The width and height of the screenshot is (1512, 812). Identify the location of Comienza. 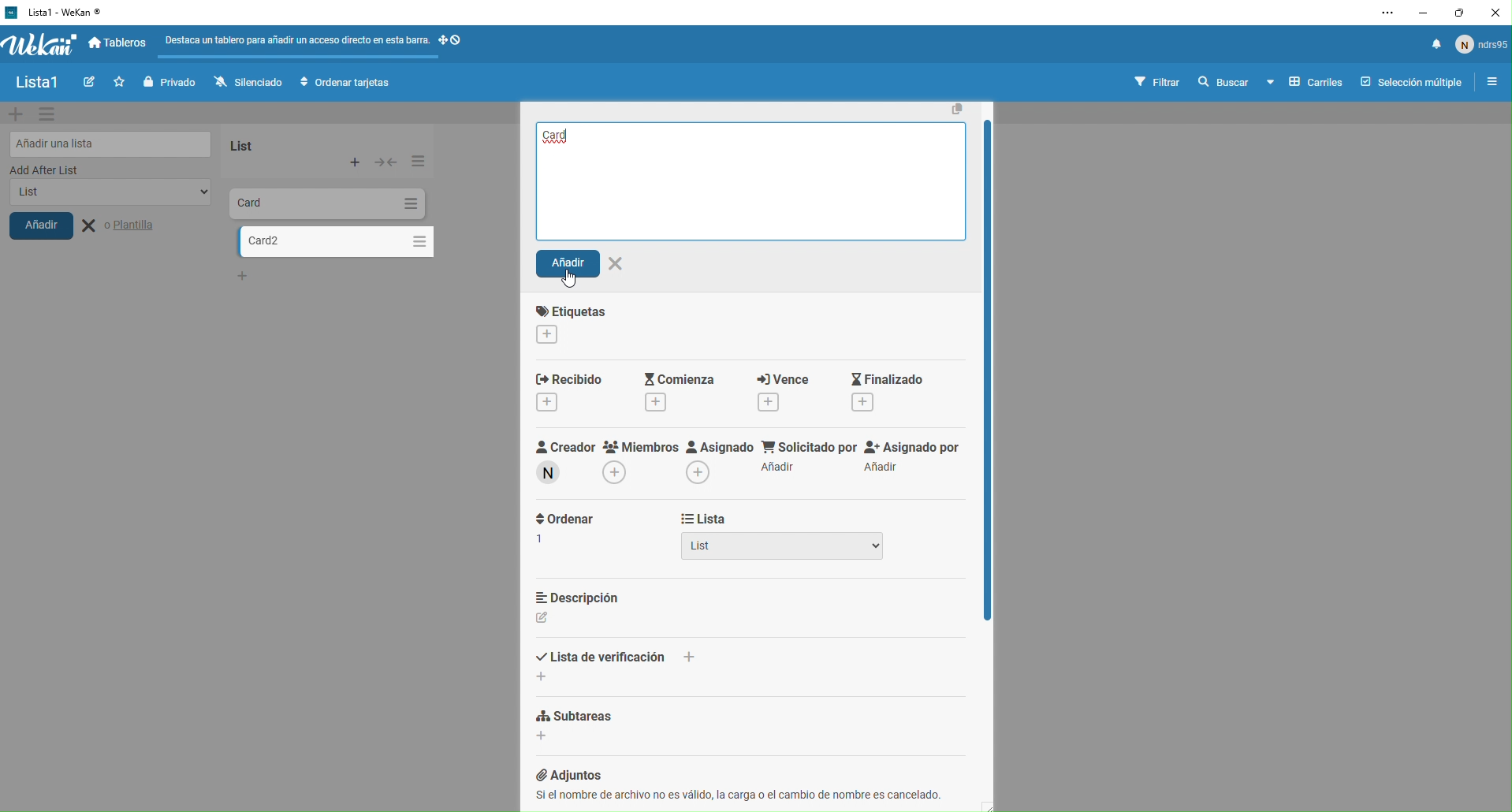
(676, 382).